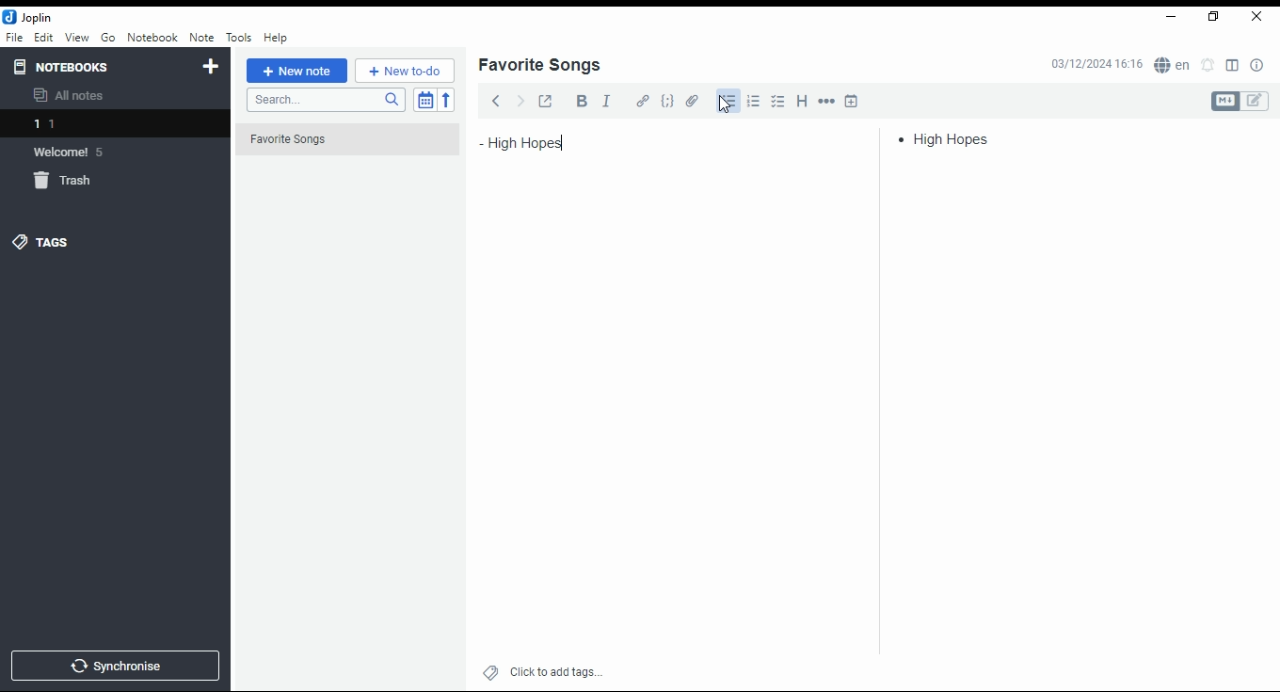  What do you see at coordinates (325, 100) in the screenshot?
I see `search` at bounding box center [325, 100].